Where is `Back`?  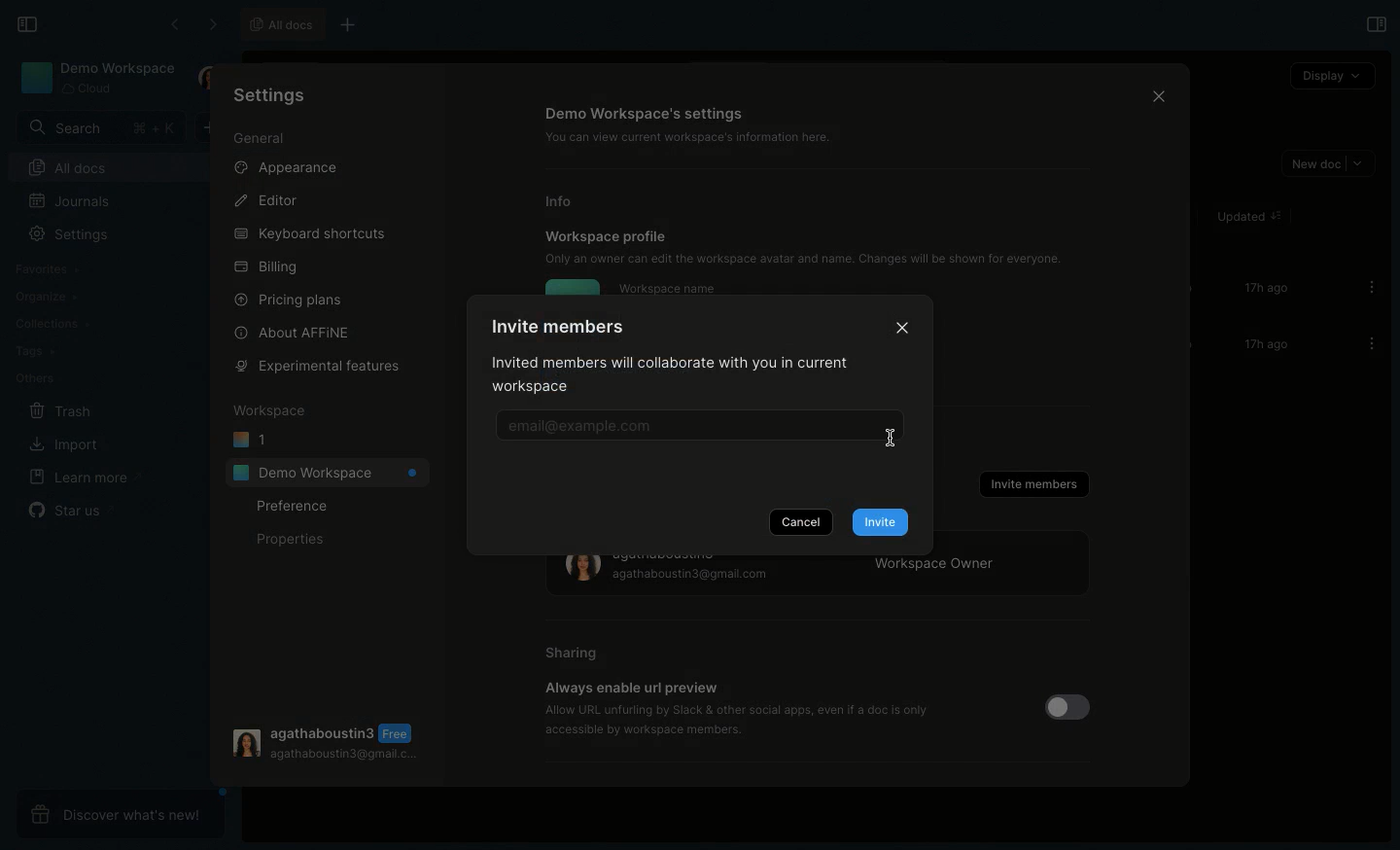
Back is located at coordinates (174, 24).